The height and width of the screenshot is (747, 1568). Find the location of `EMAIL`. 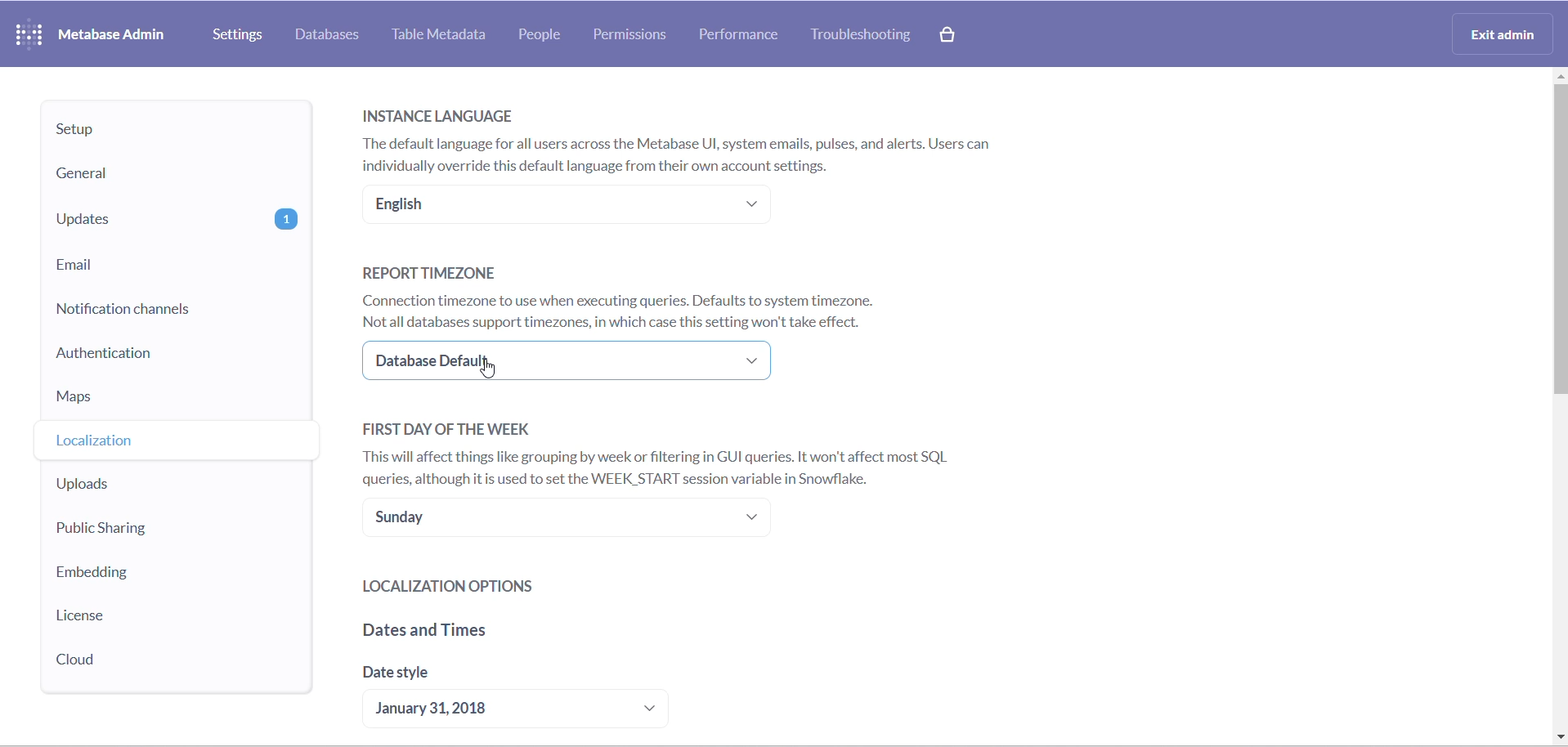

EMAIL is located at coordinates (177, 265).